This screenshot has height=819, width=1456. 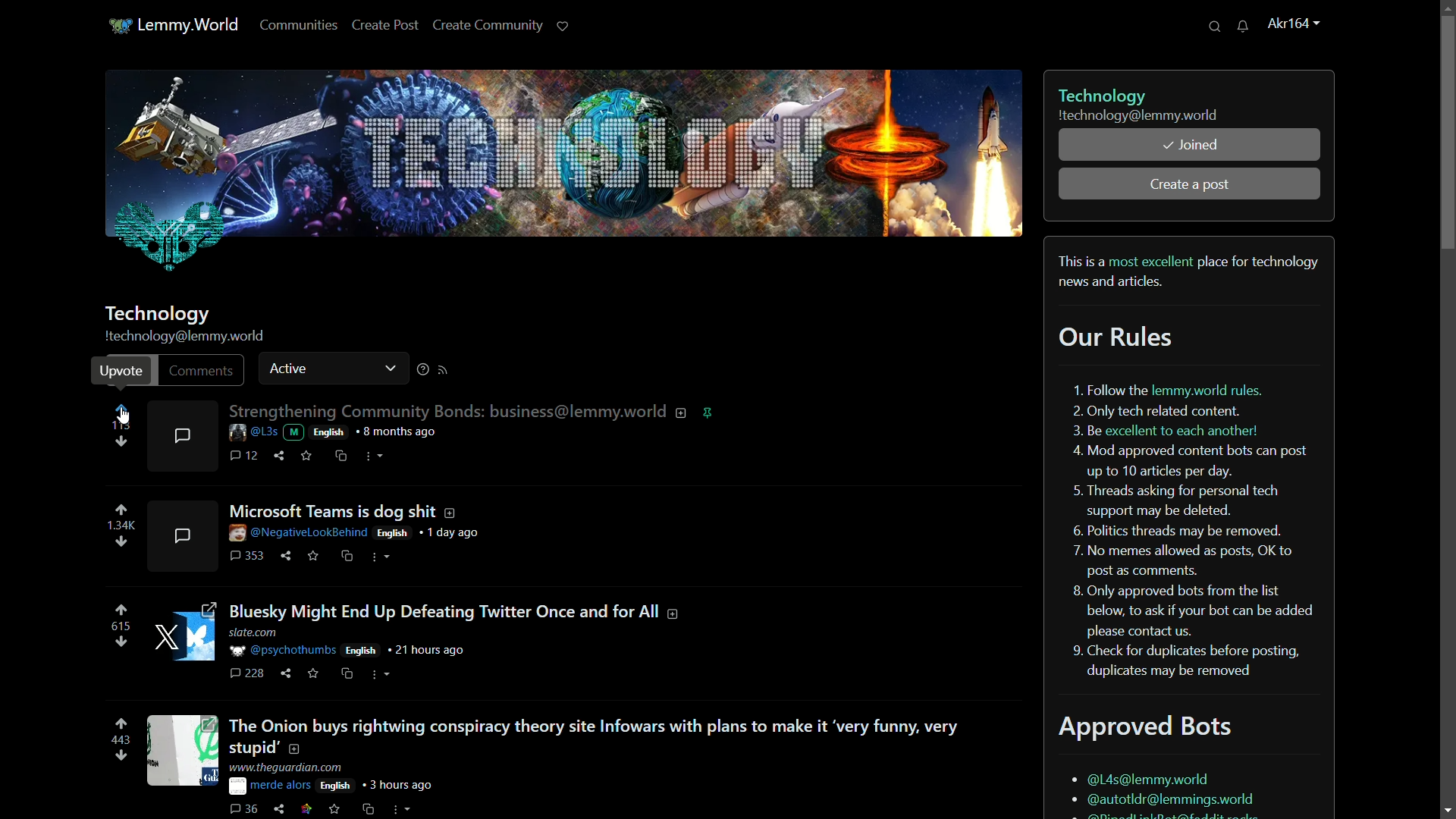 What do you see at coordinates (180, 537) in the screenshot?
I see `` at bounding box center [180, 537].